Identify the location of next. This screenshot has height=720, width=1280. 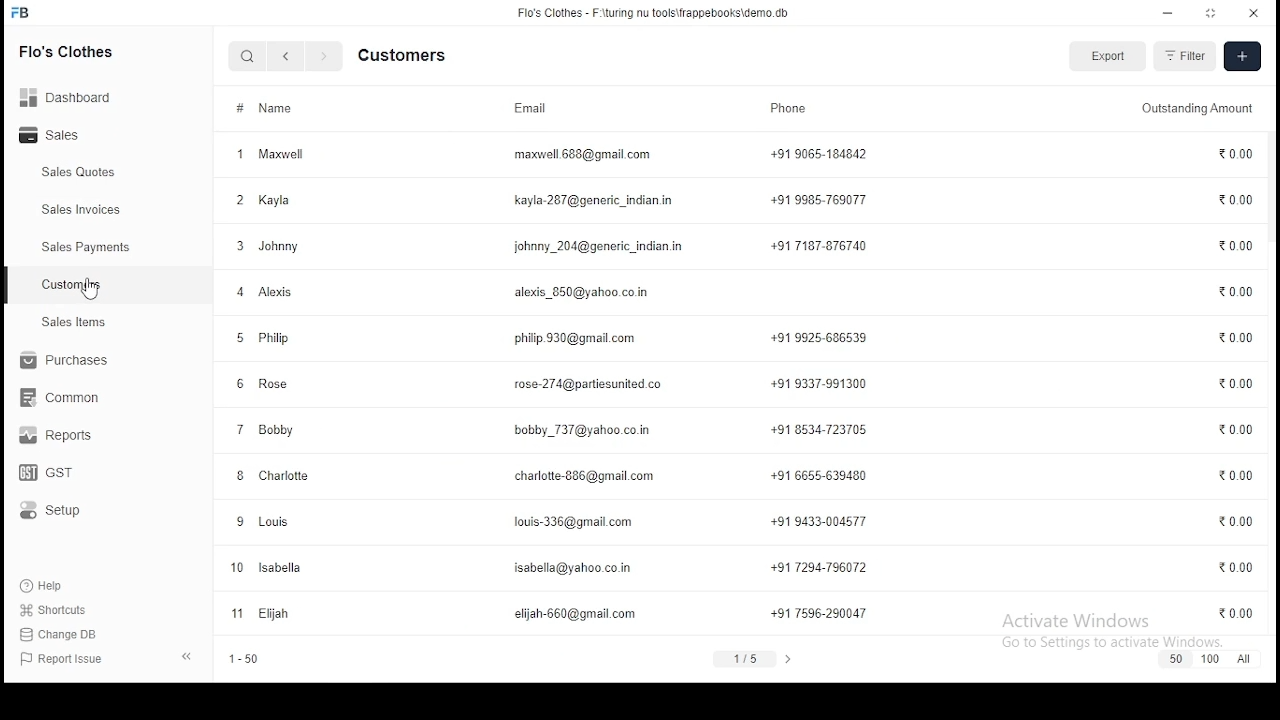
(324, 57).